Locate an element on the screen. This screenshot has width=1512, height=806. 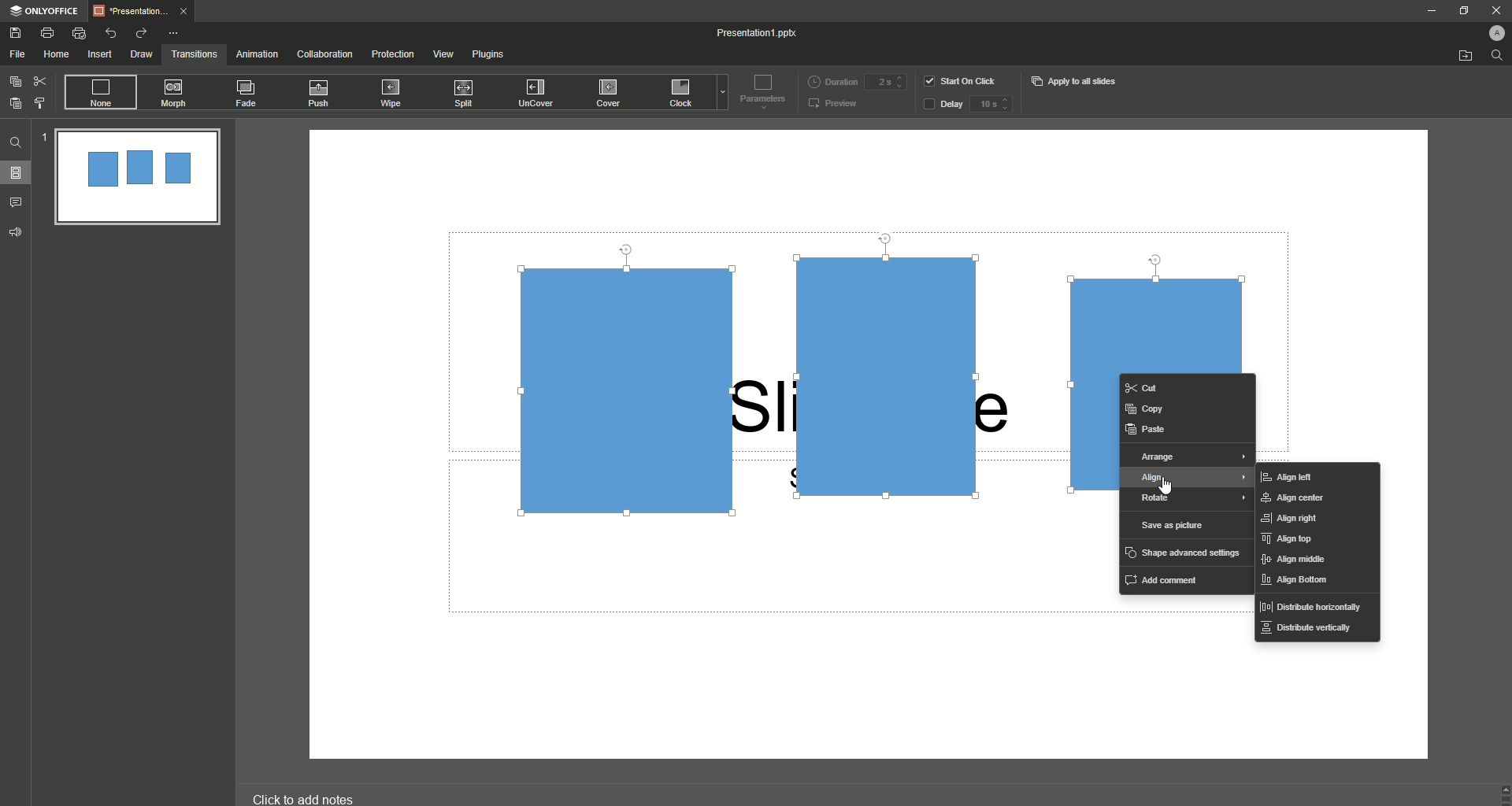
Cut is located at coordinates (1163, 388).